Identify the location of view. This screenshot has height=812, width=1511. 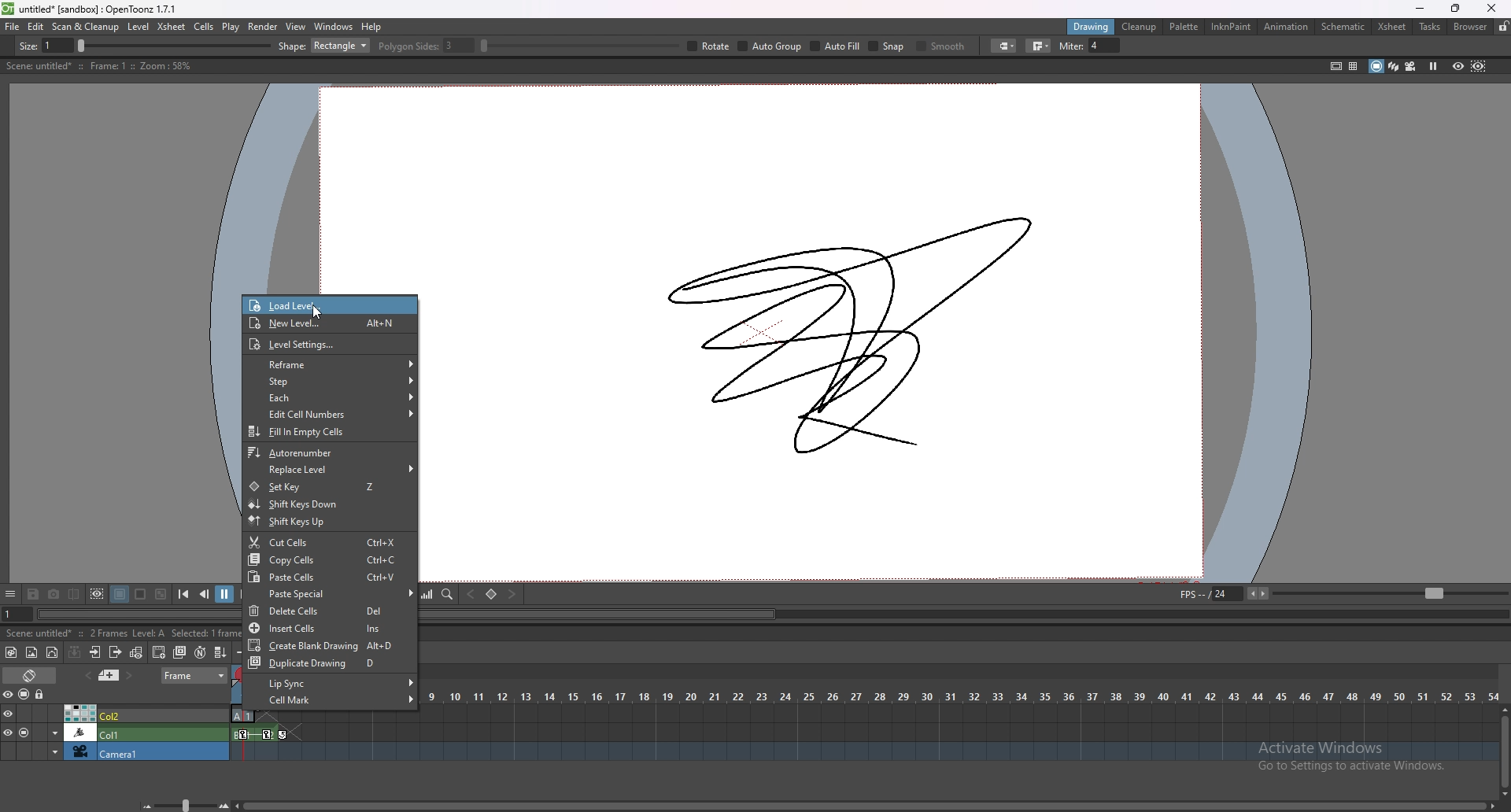
(296, 26).